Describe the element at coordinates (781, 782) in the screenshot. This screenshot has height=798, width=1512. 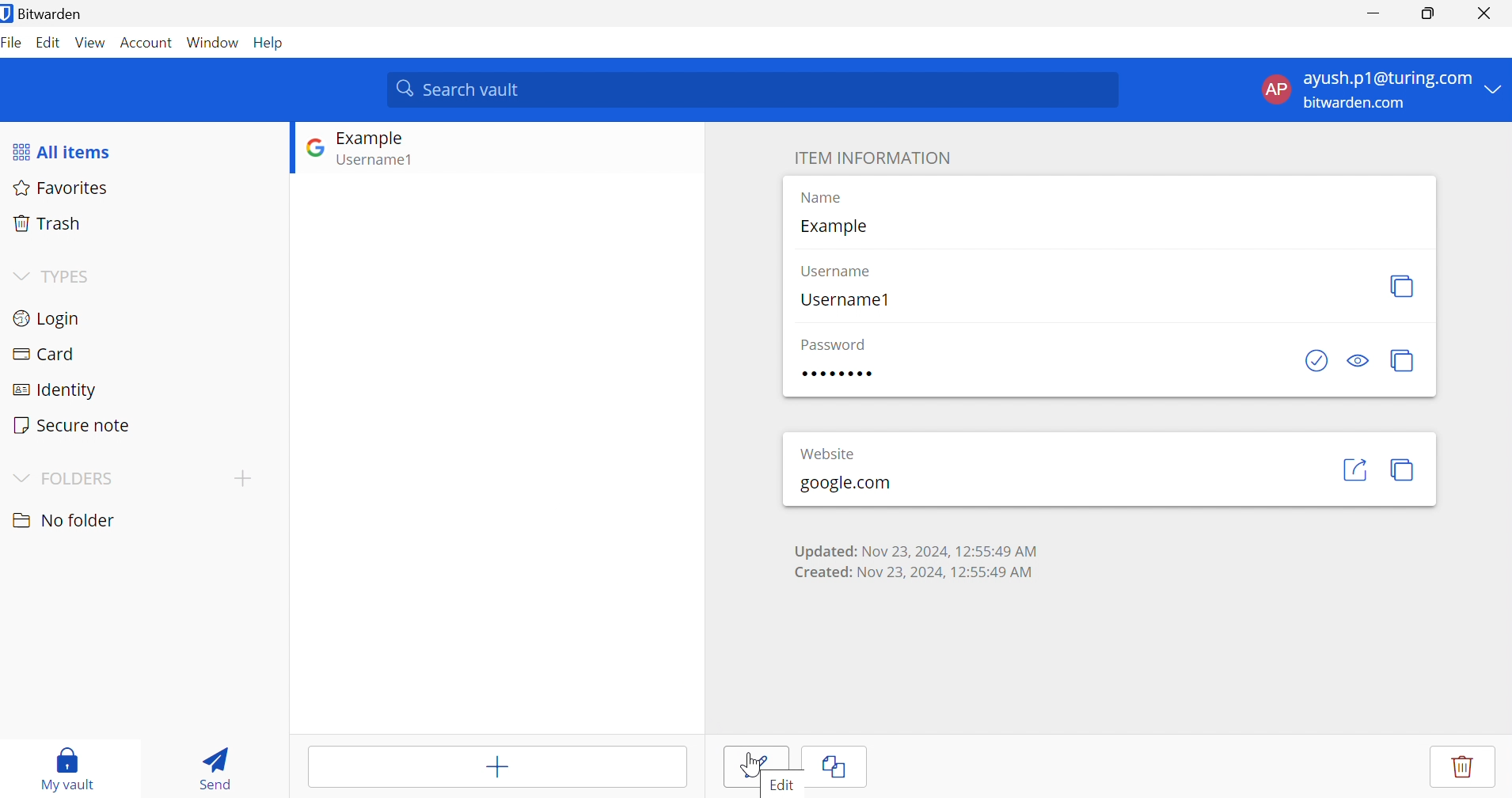
I see `Edit` at that location.